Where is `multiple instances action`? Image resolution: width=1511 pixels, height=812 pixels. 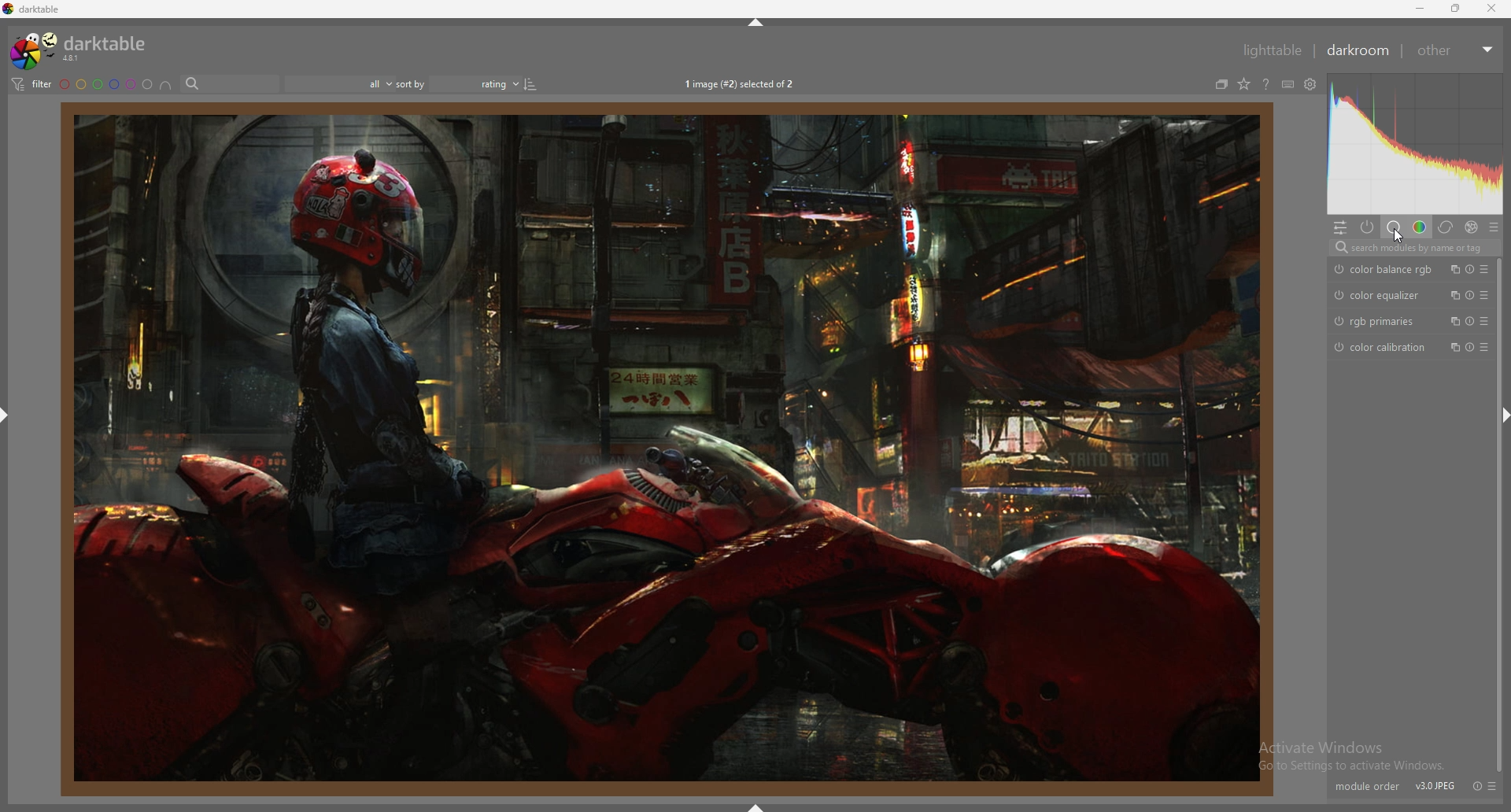
multiple instances action is located at coordinates (1452, 322).